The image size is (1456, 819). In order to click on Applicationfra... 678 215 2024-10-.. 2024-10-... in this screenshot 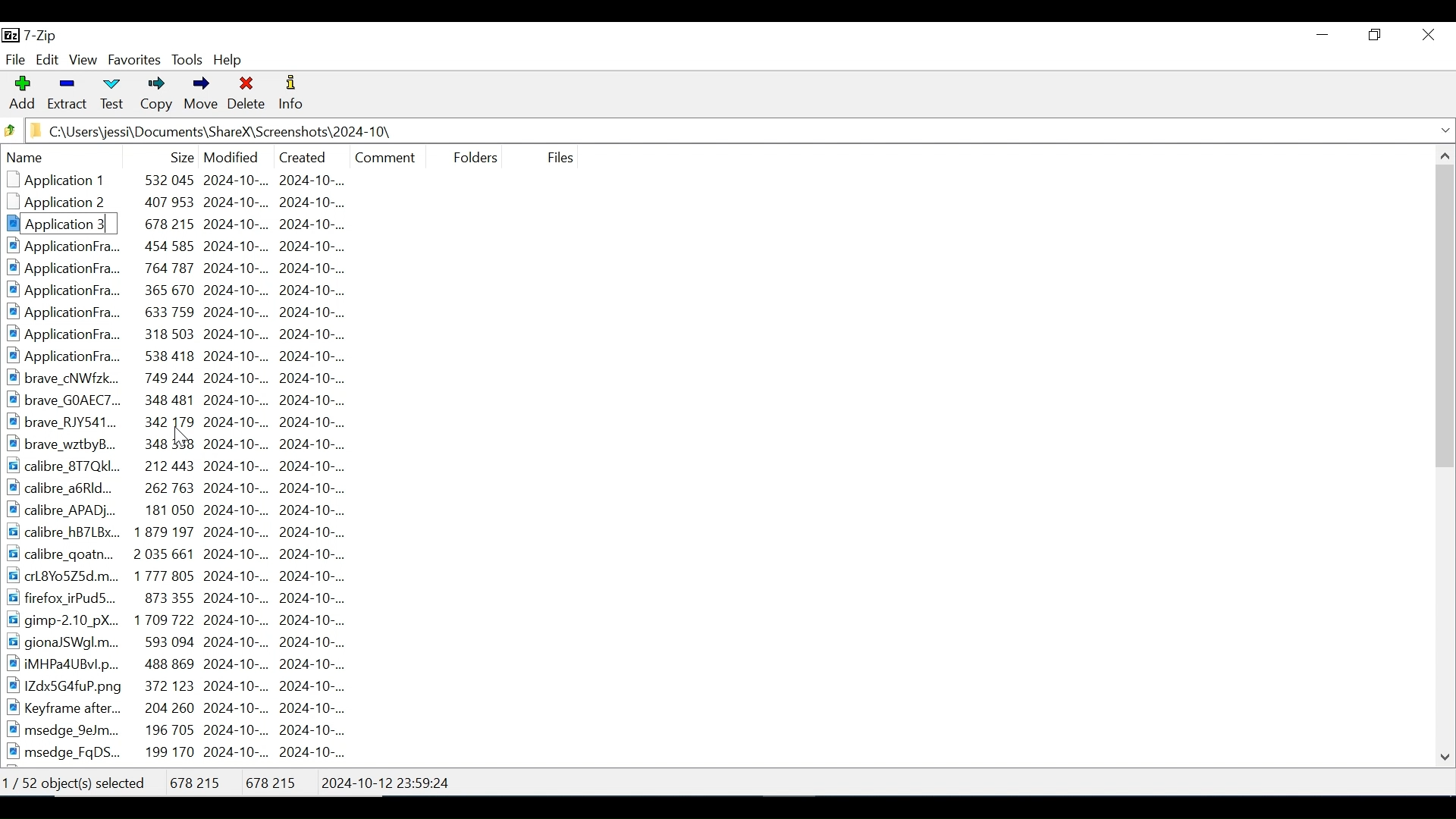, I will do `click(194, 224)`.